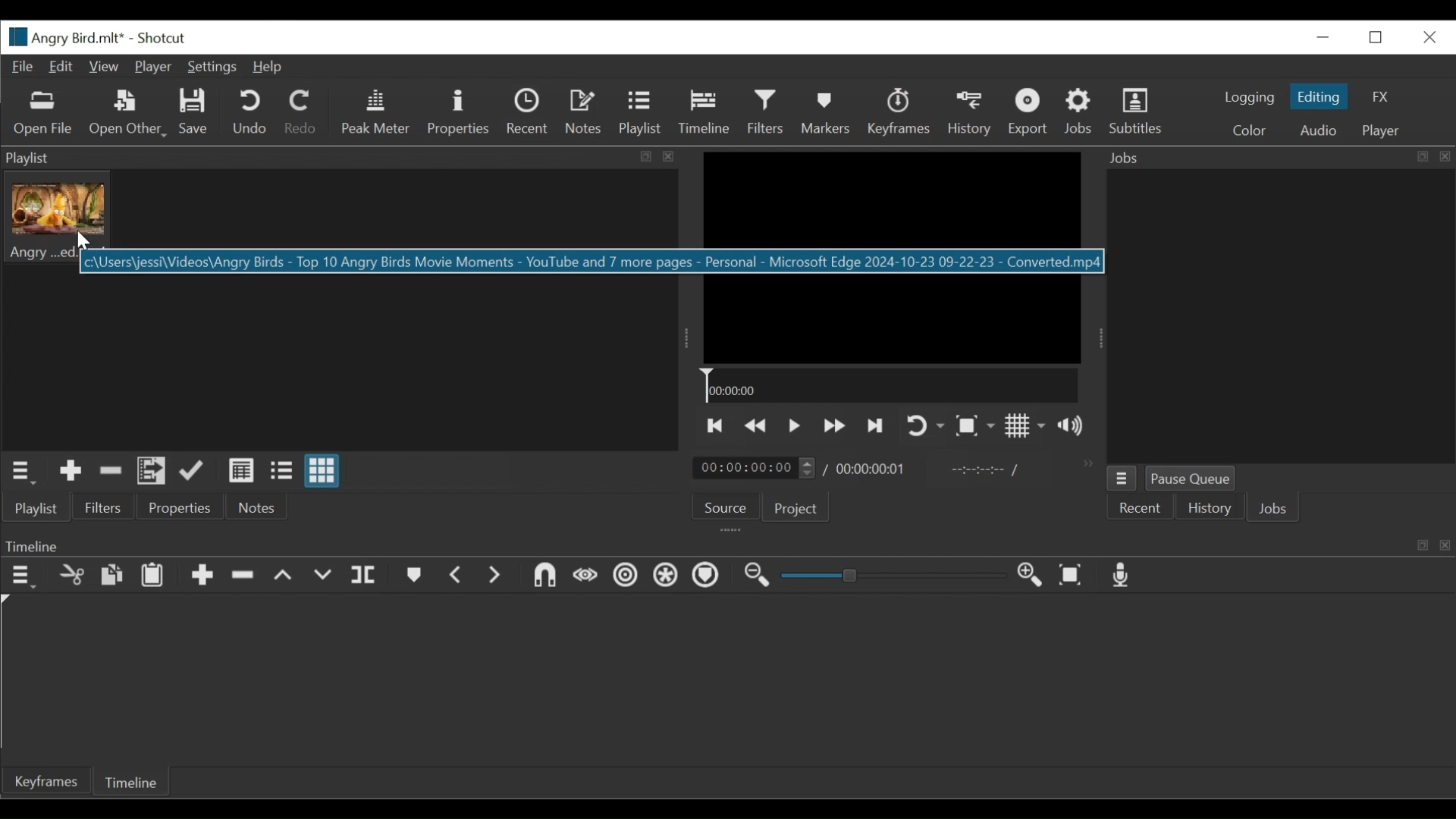 This screenshot has width=1456, height=819. What do you see at coordinates (455, 575) in the screenshot?
I see `previous` at bounding box center [455, 575].